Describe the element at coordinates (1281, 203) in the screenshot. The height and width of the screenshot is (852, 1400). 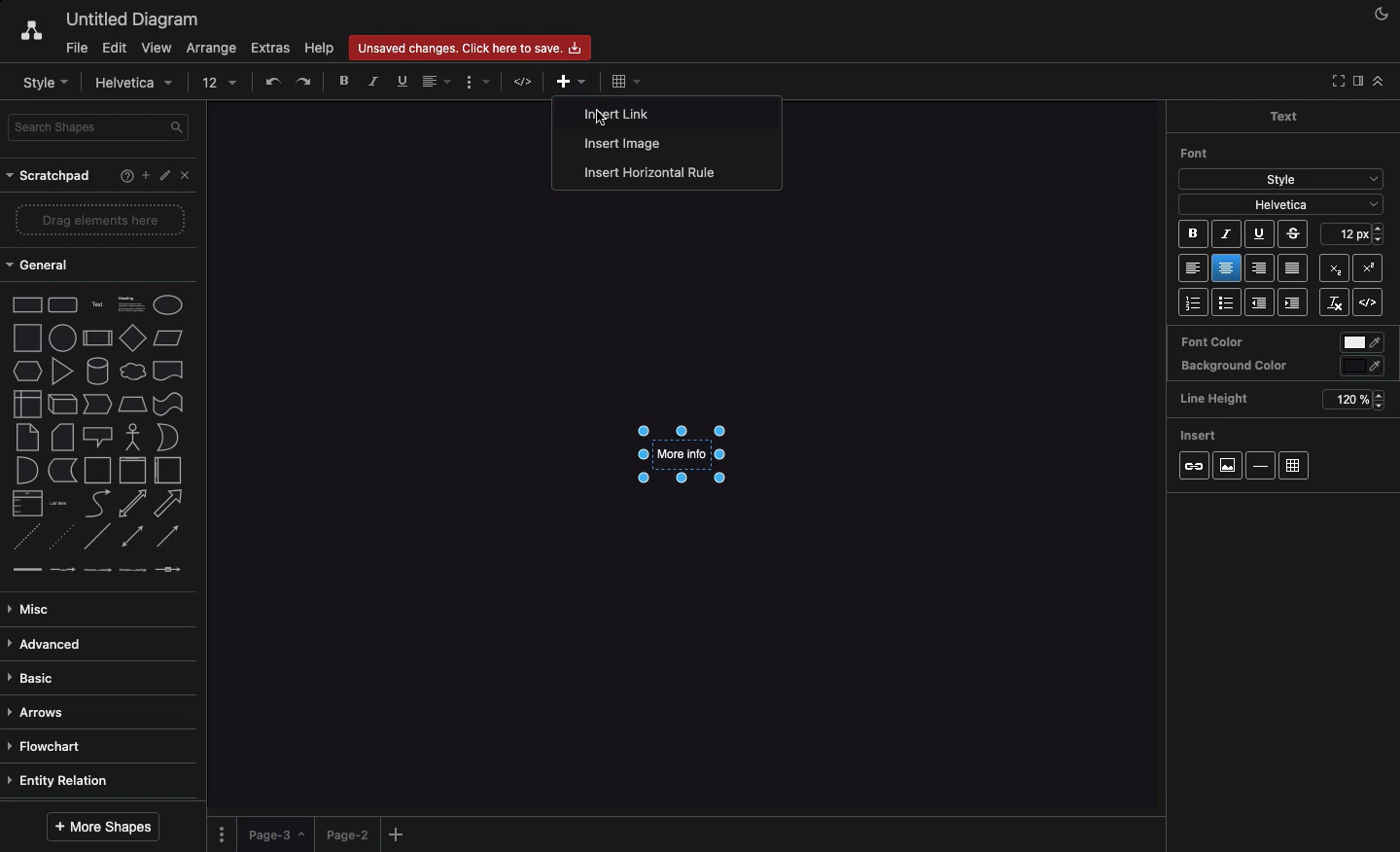
I see `Helvetica` at that location.